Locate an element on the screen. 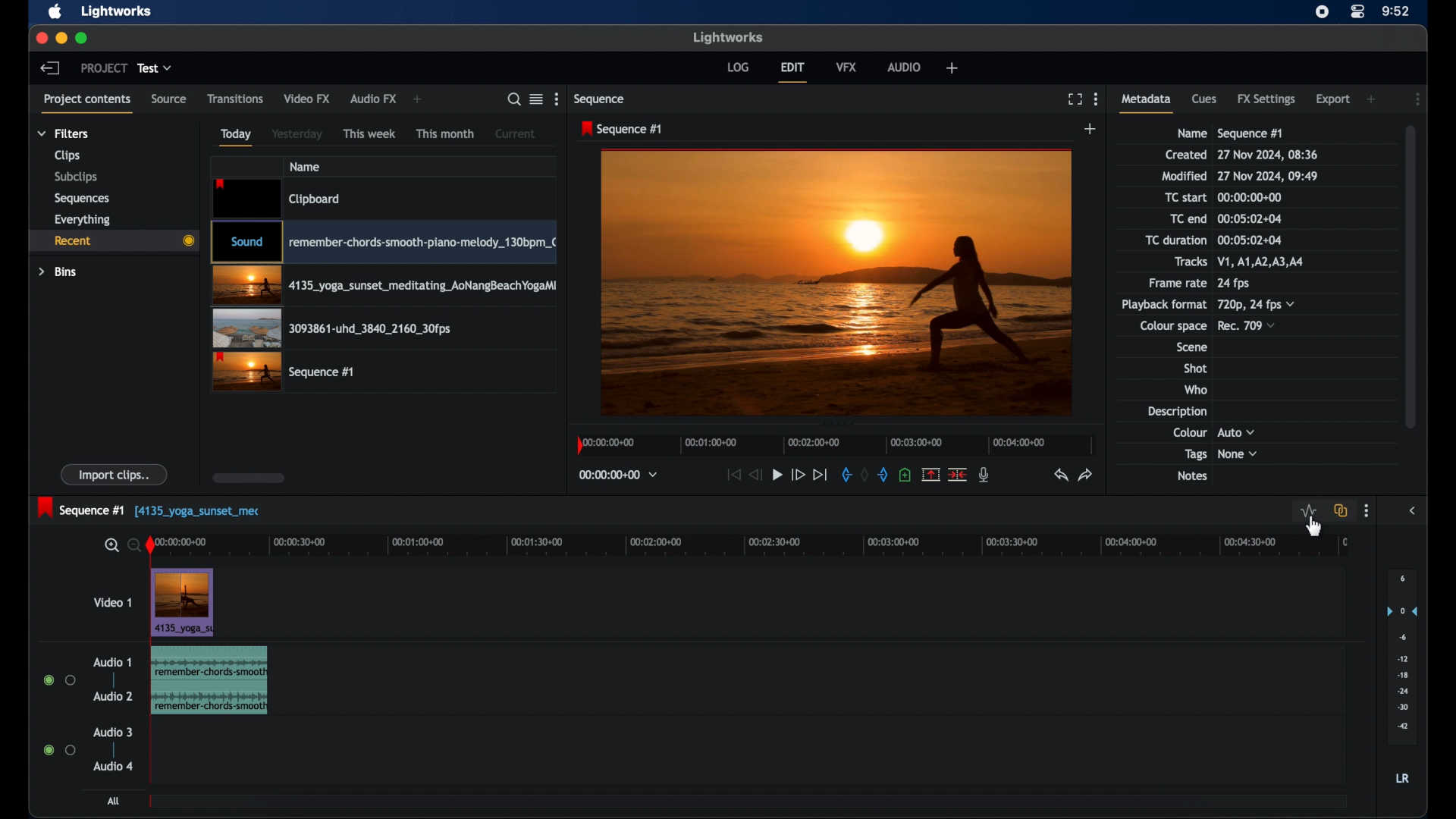 The width and height of the screenshot is (1456, 819). transitions is located at coordinates (235, 98).